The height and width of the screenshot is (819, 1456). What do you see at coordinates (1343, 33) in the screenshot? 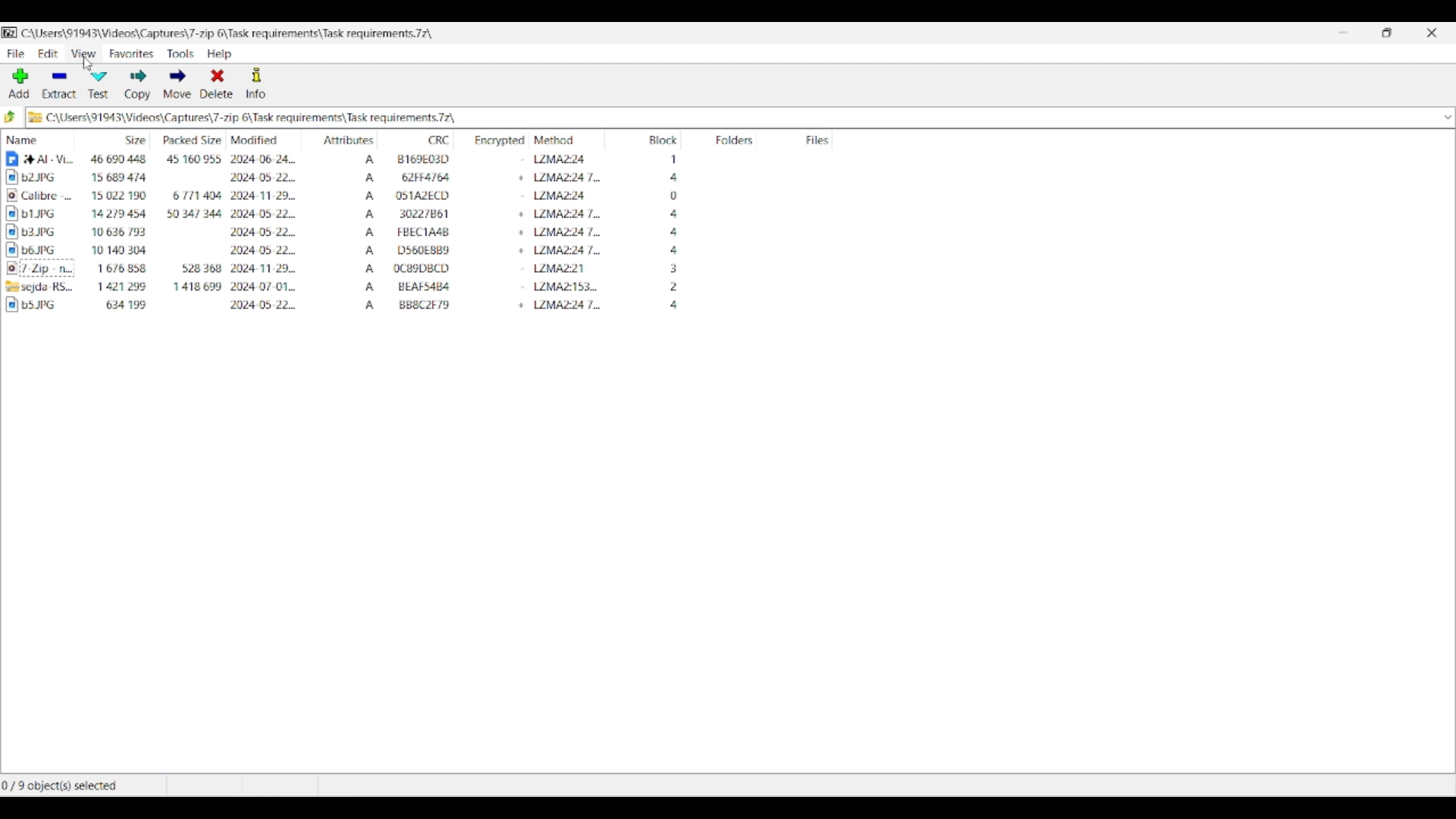
I see `Minimize` at bounding box center [1343, 33].